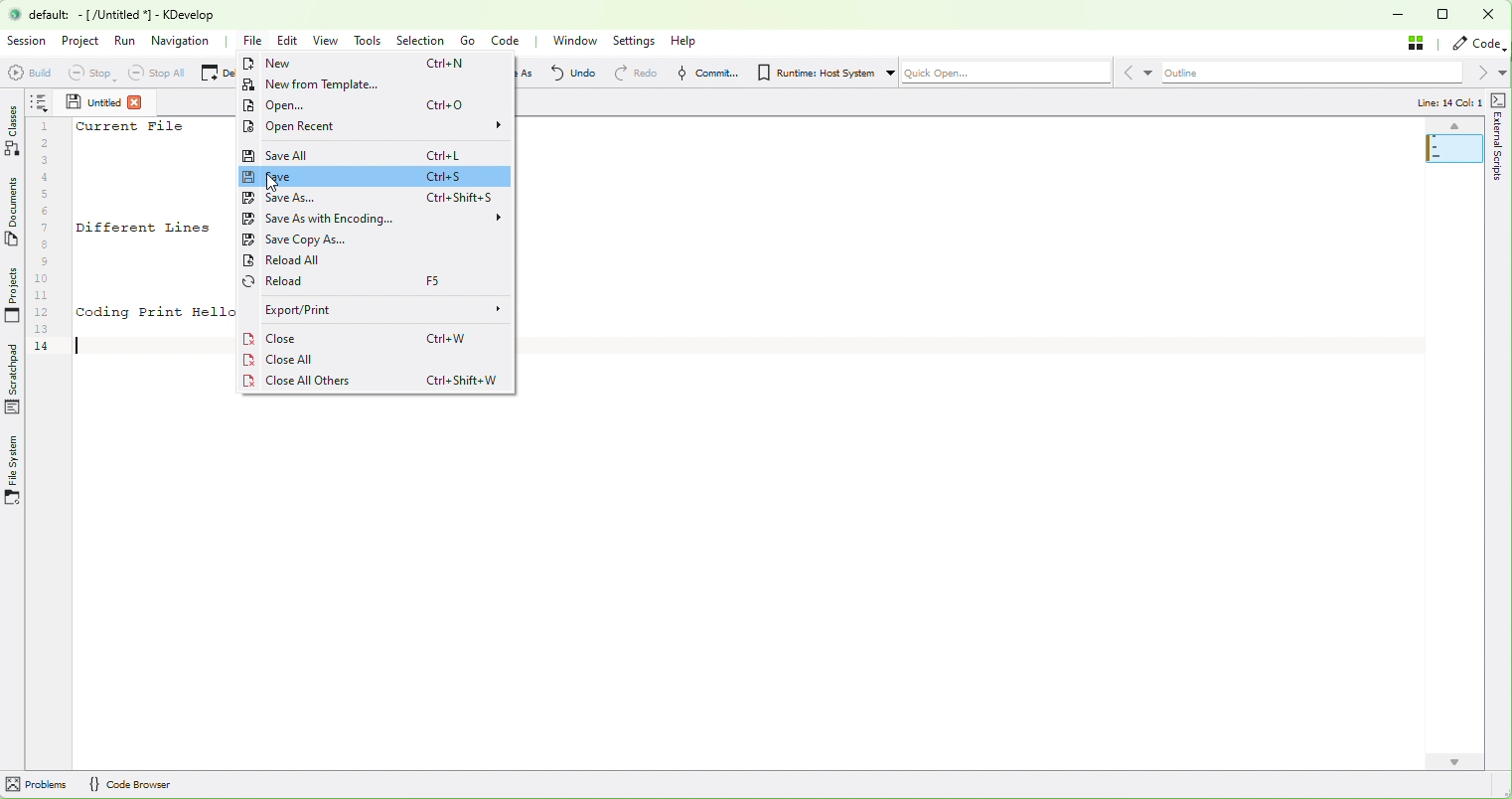 The width and height of the screenshot is (1512, 799). I want to click on Current File, so click(131, 126).